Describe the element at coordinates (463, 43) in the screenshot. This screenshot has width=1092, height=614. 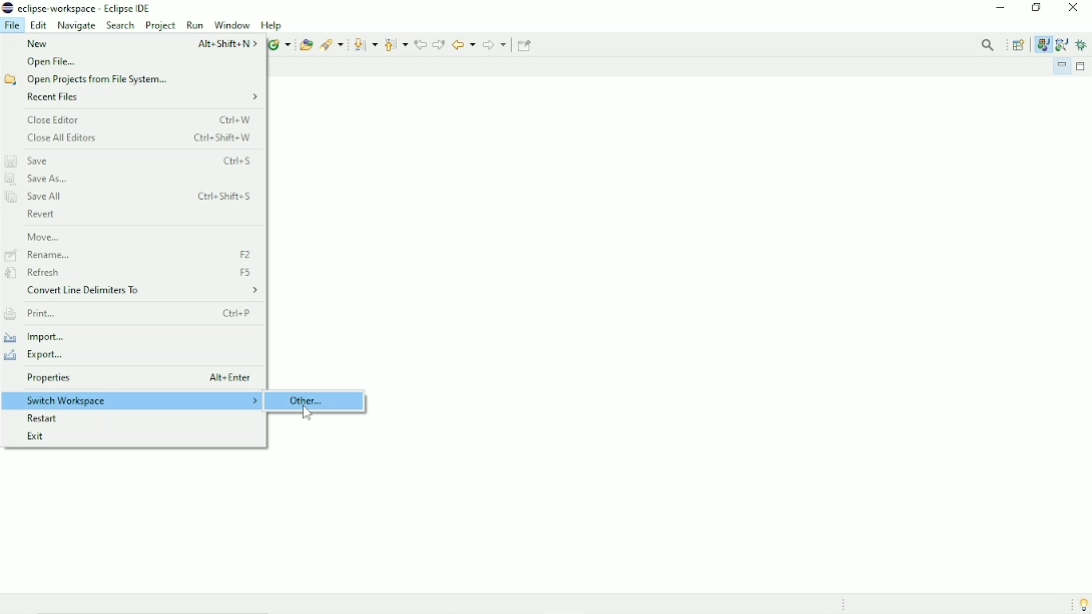
I see `Back` at that location.